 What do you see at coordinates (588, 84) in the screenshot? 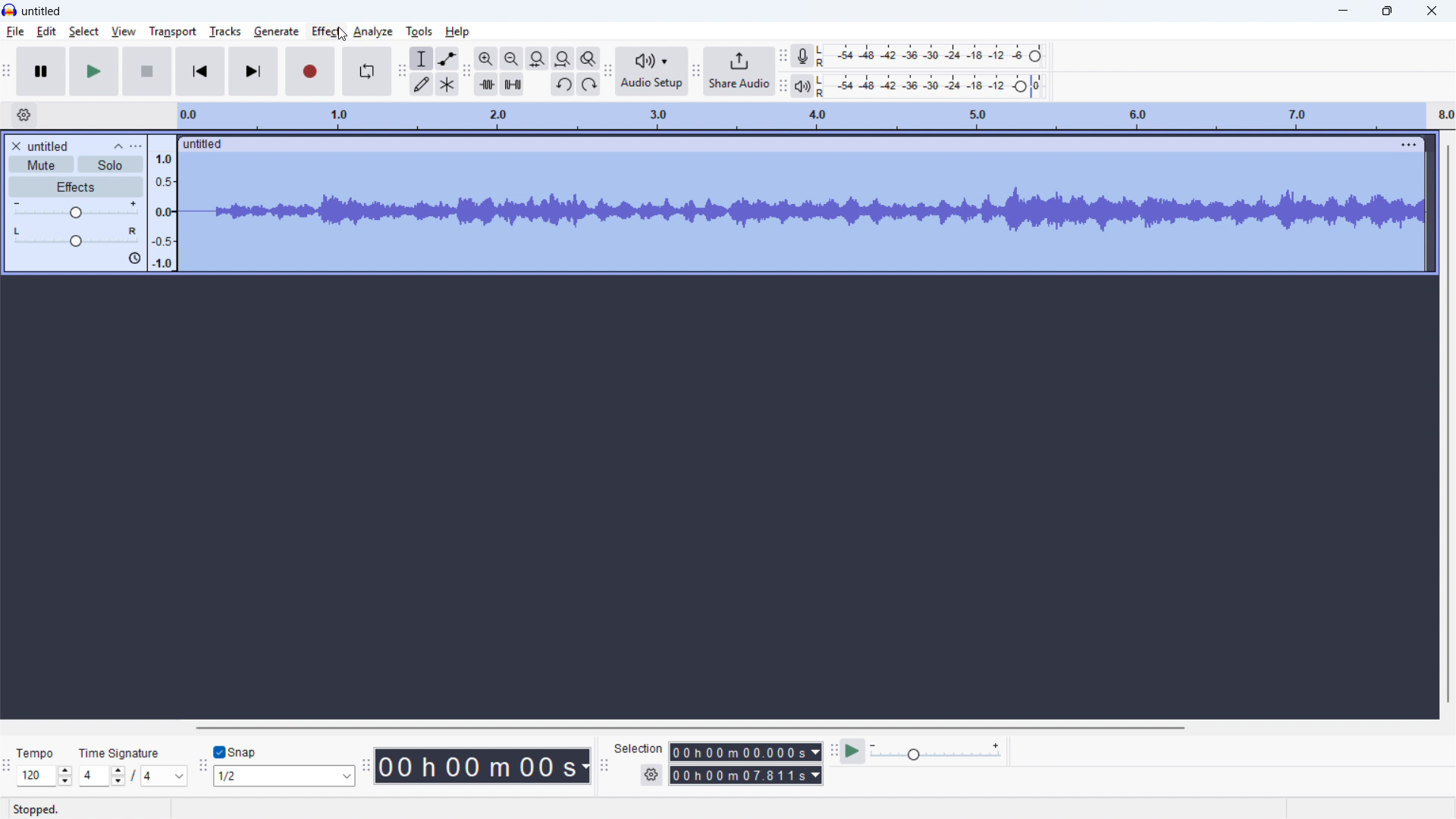
I see `Re-do ` at bounding box center [588, 84].